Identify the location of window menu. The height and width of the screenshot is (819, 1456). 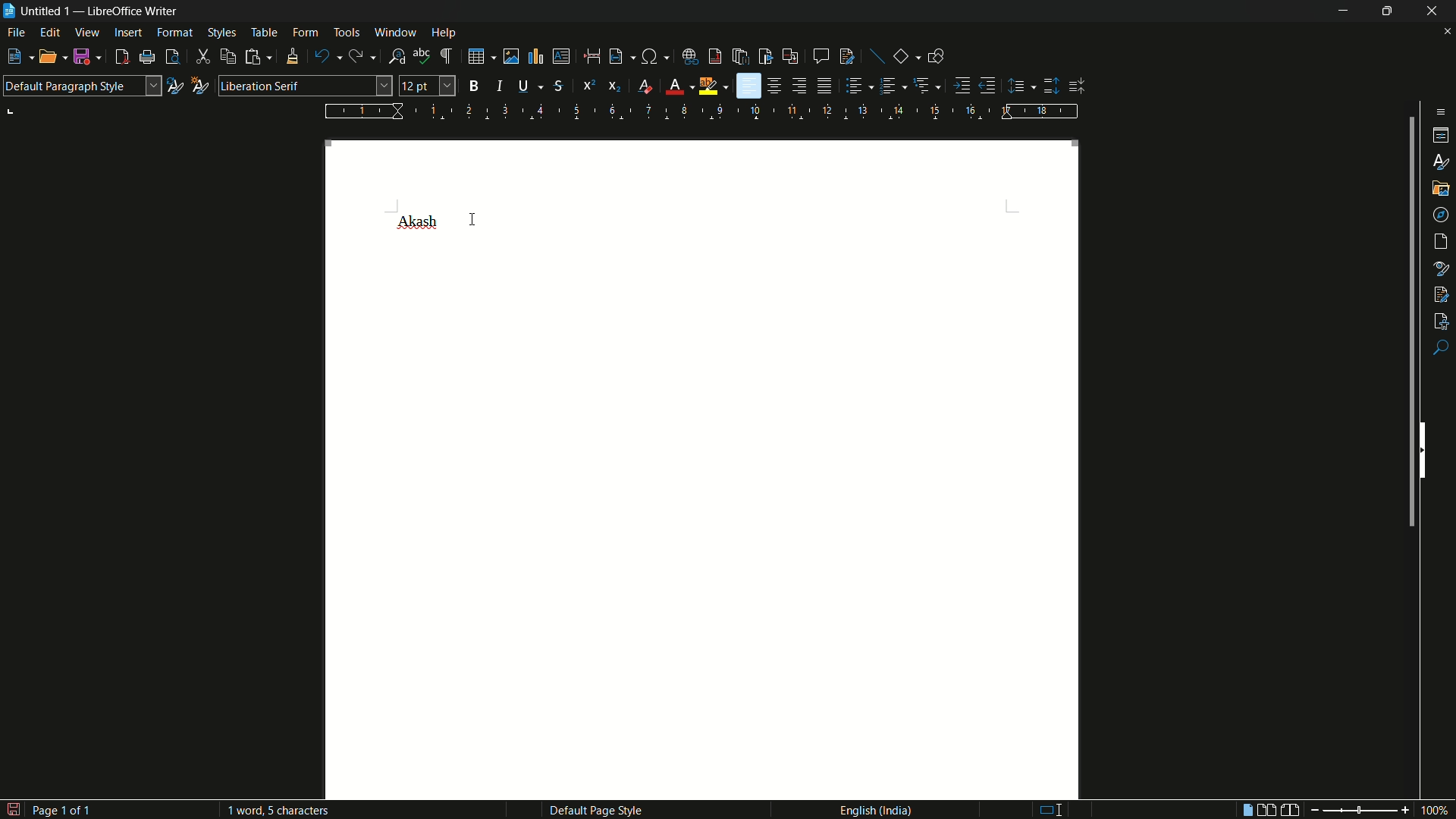
(396, 32).